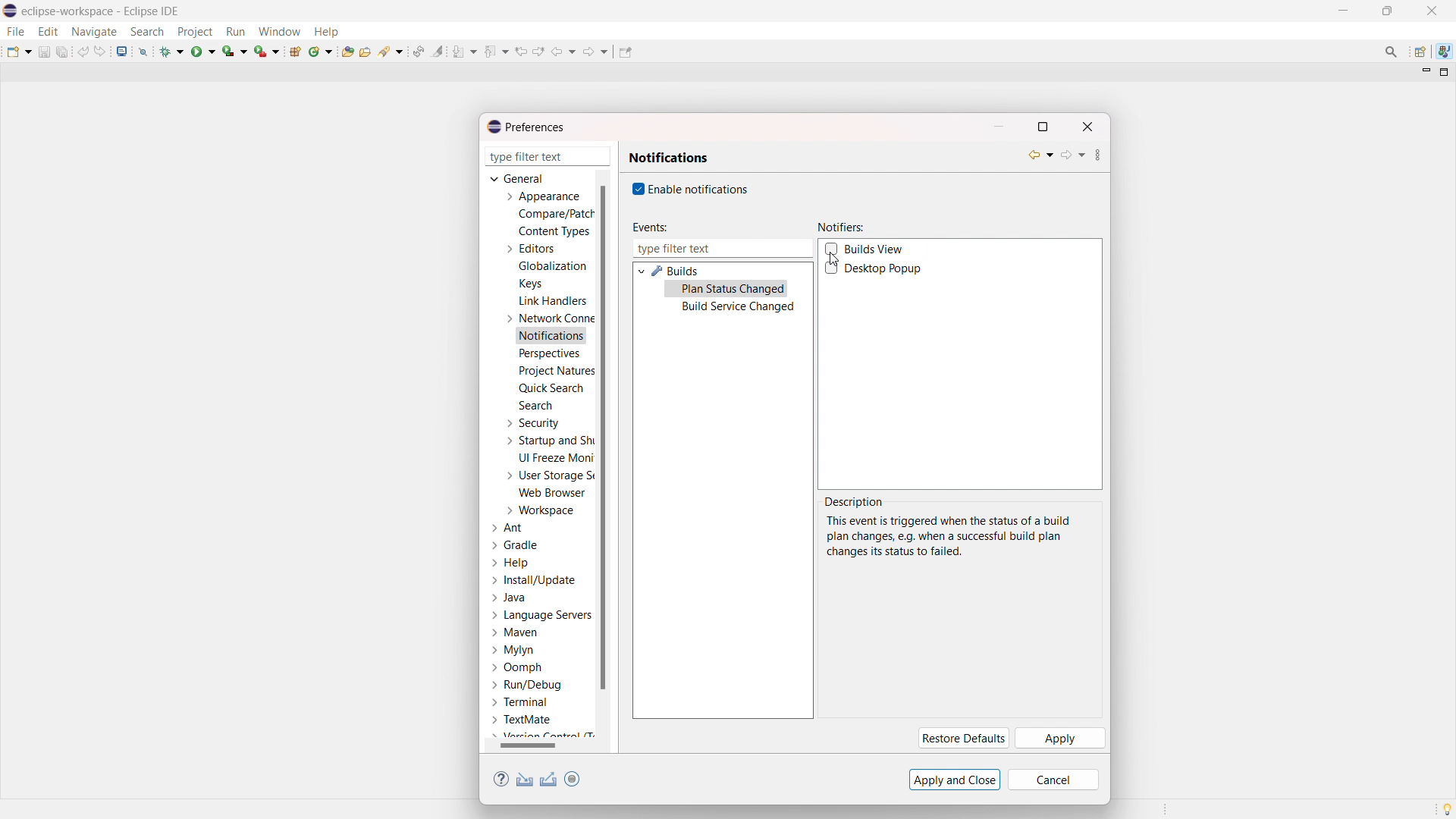 The height and width of the screenshot is (819, 1456). Describe the element at coordinates (535, 405) in the screenshot. I see `search` at that location.